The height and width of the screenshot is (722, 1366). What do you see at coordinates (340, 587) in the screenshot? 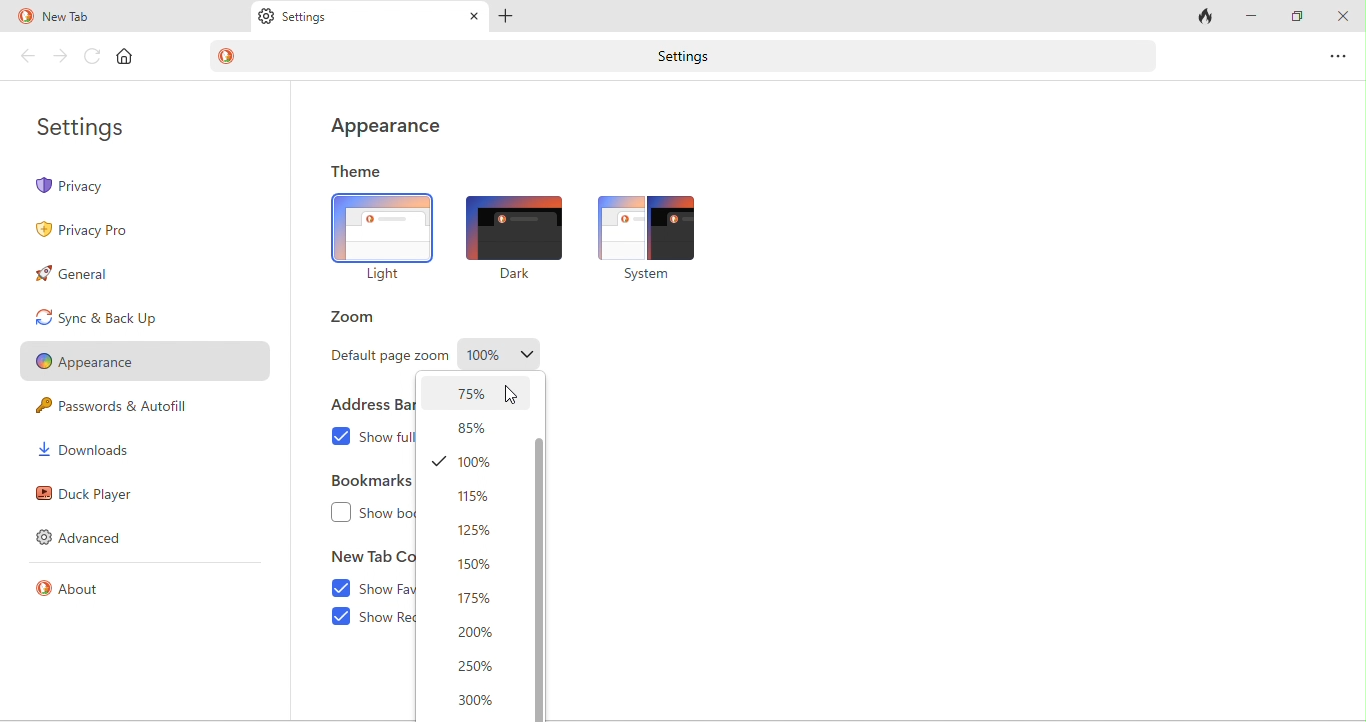
I see `enable checkbox` at bounding box center [340, 587].